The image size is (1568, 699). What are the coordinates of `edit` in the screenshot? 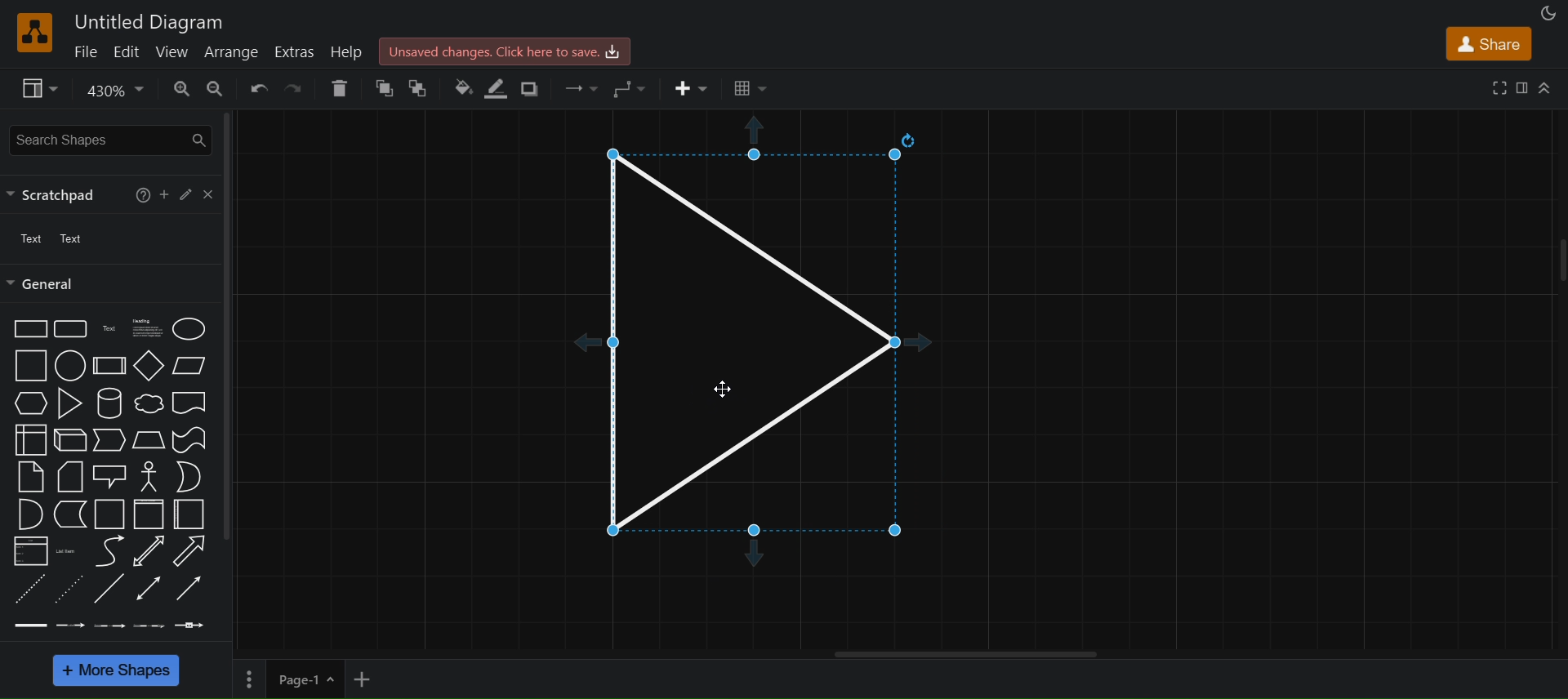 It's located at (184, 194).